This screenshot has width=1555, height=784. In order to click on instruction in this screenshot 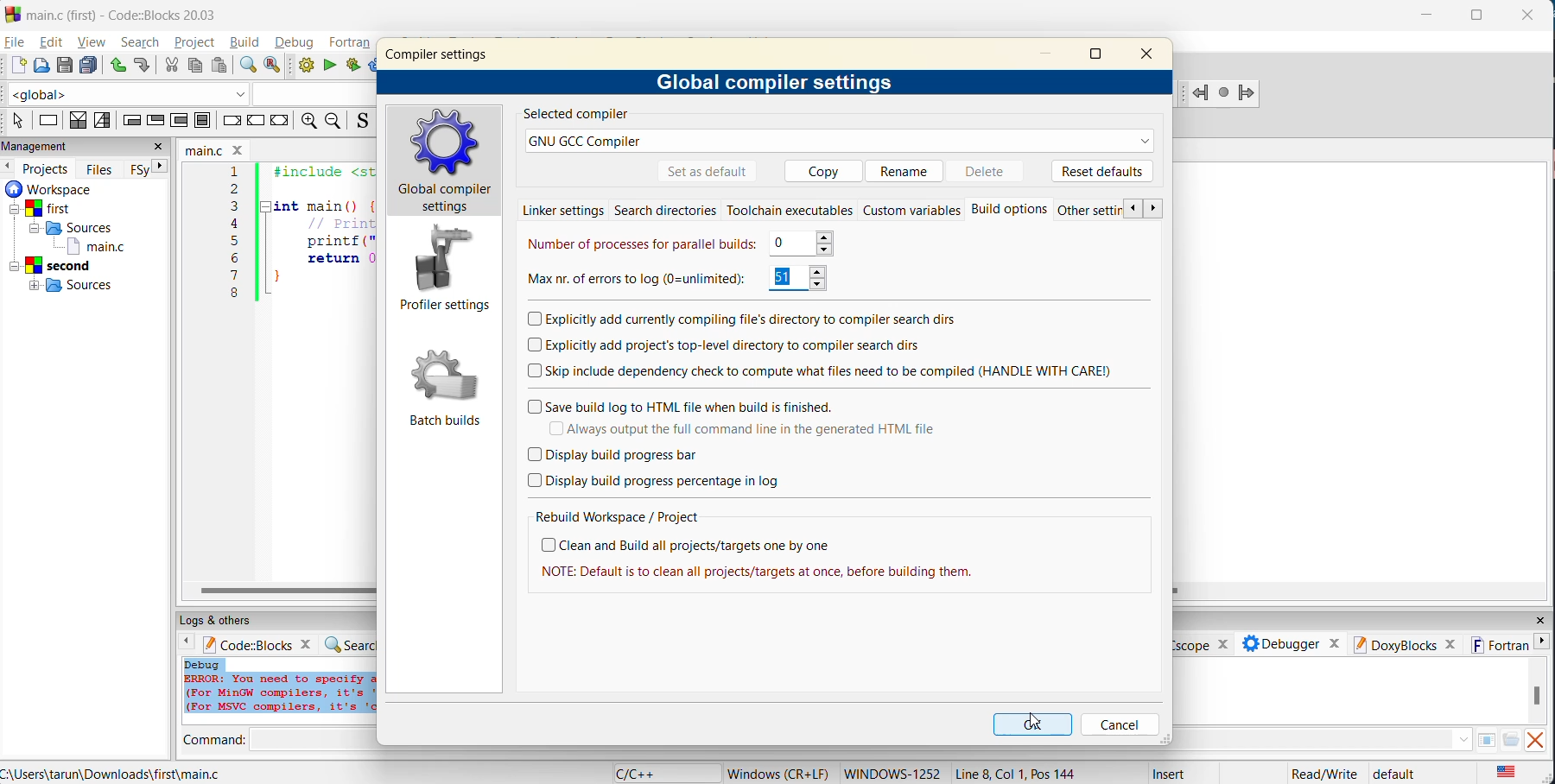, I will do `click(49, 123)`.